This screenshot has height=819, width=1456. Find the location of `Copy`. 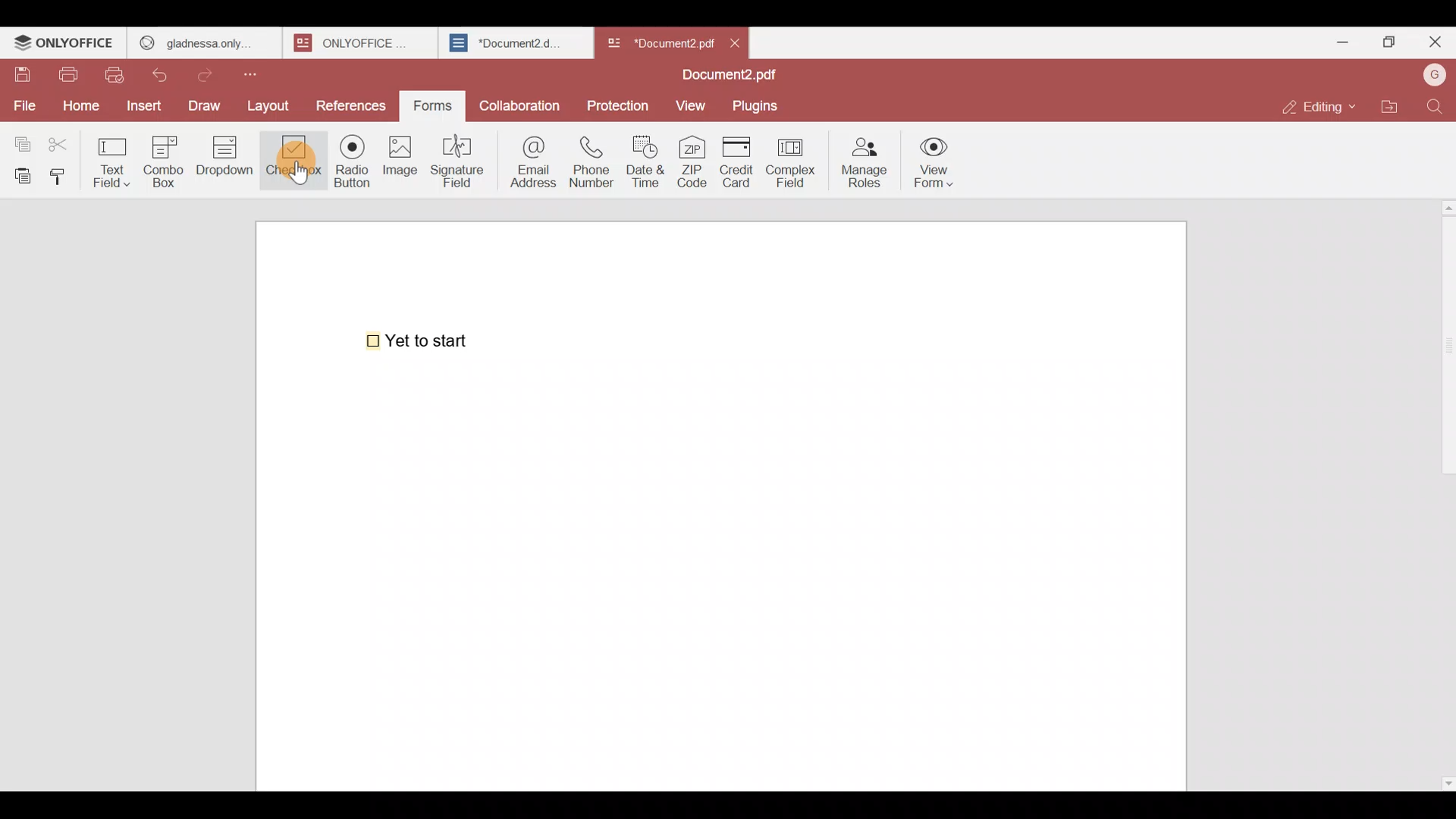

Copy is located at coordinates (20, 140).